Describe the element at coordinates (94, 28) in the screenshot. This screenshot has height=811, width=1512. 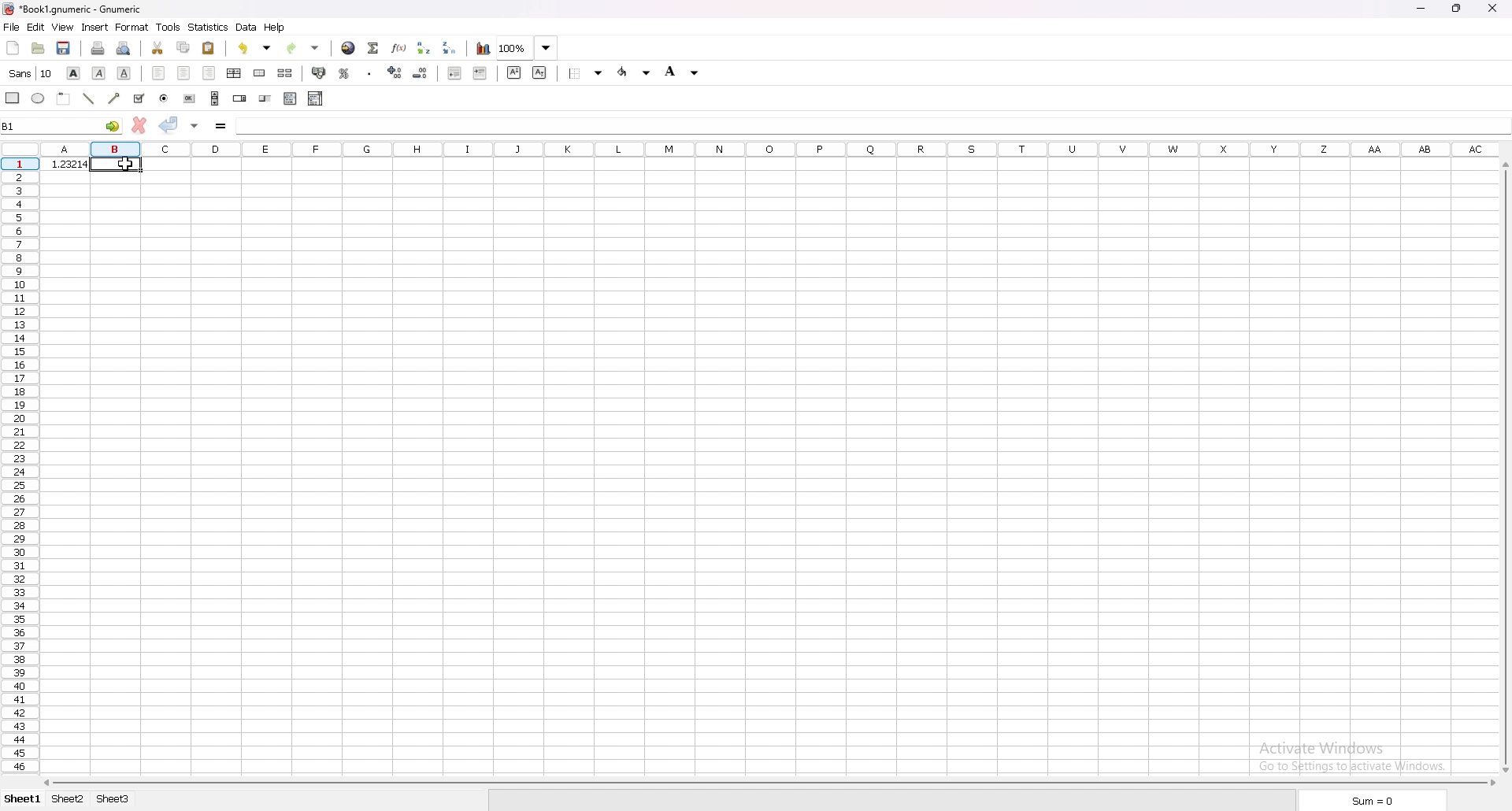
I see `insert` at that location.